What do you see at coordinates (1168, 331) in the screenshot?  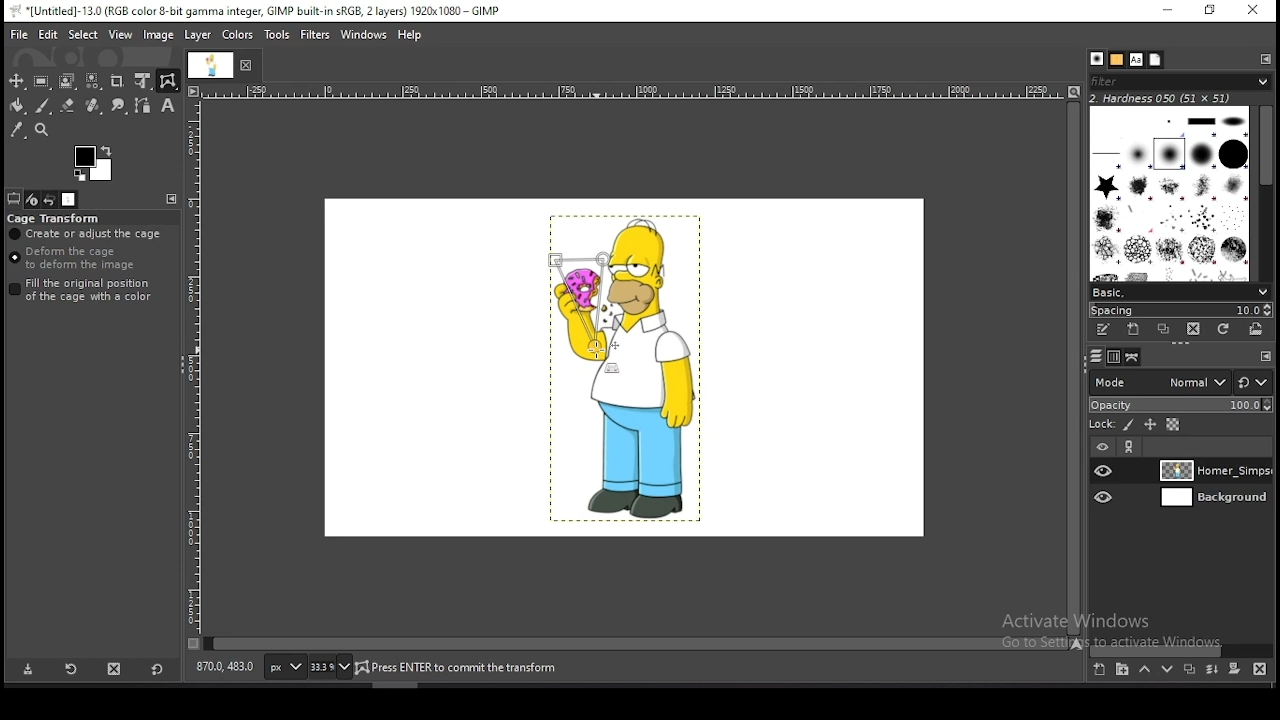 I see `duplicate brush` at bounding box center [1168, 331].